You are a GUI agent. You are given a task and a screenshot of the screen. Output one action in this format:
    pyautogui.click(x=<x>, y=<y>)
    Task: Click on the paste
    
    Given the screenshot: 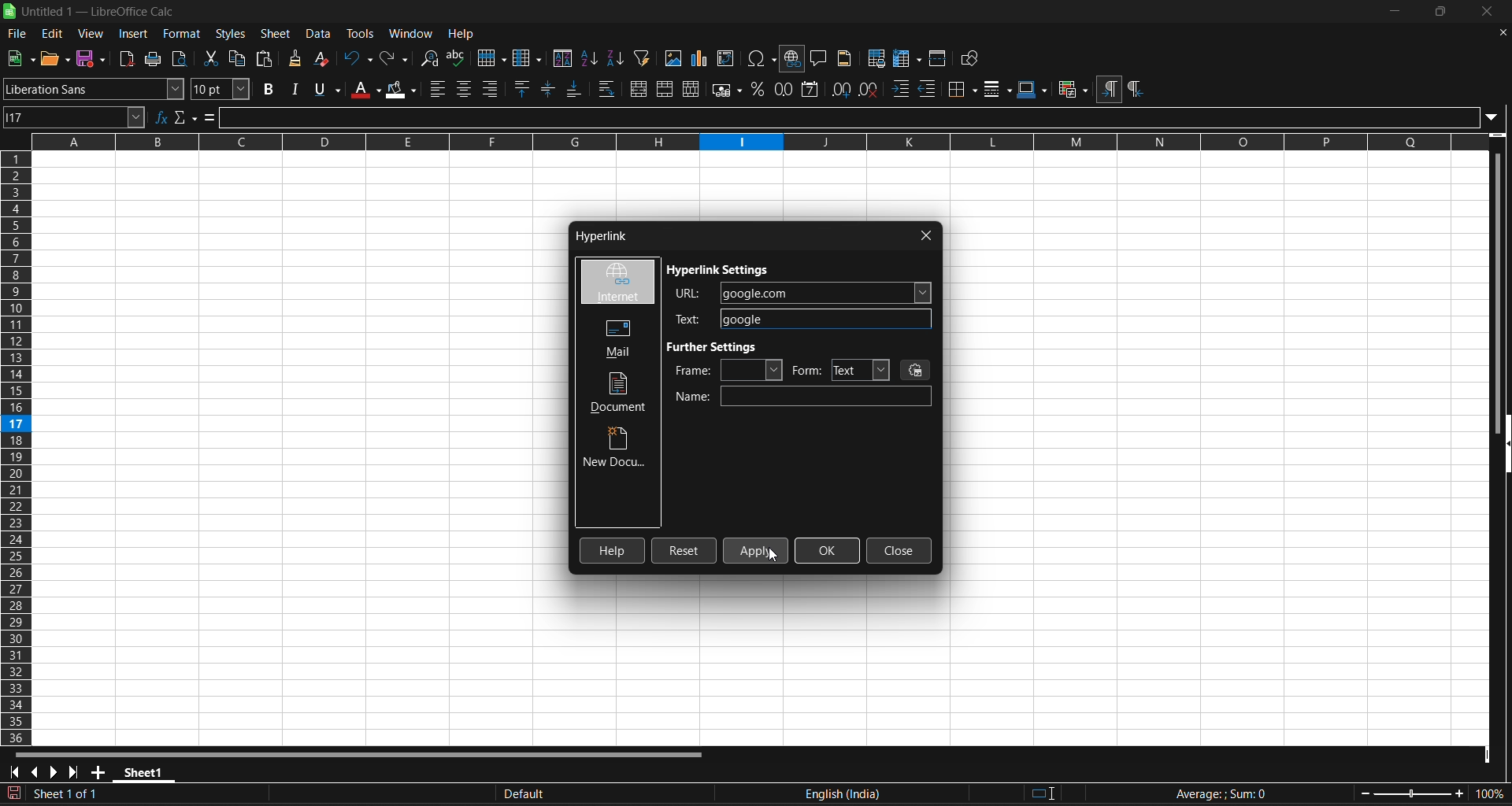 What is the action you would take?
    pyautogui.click(x=265, y=57)
    